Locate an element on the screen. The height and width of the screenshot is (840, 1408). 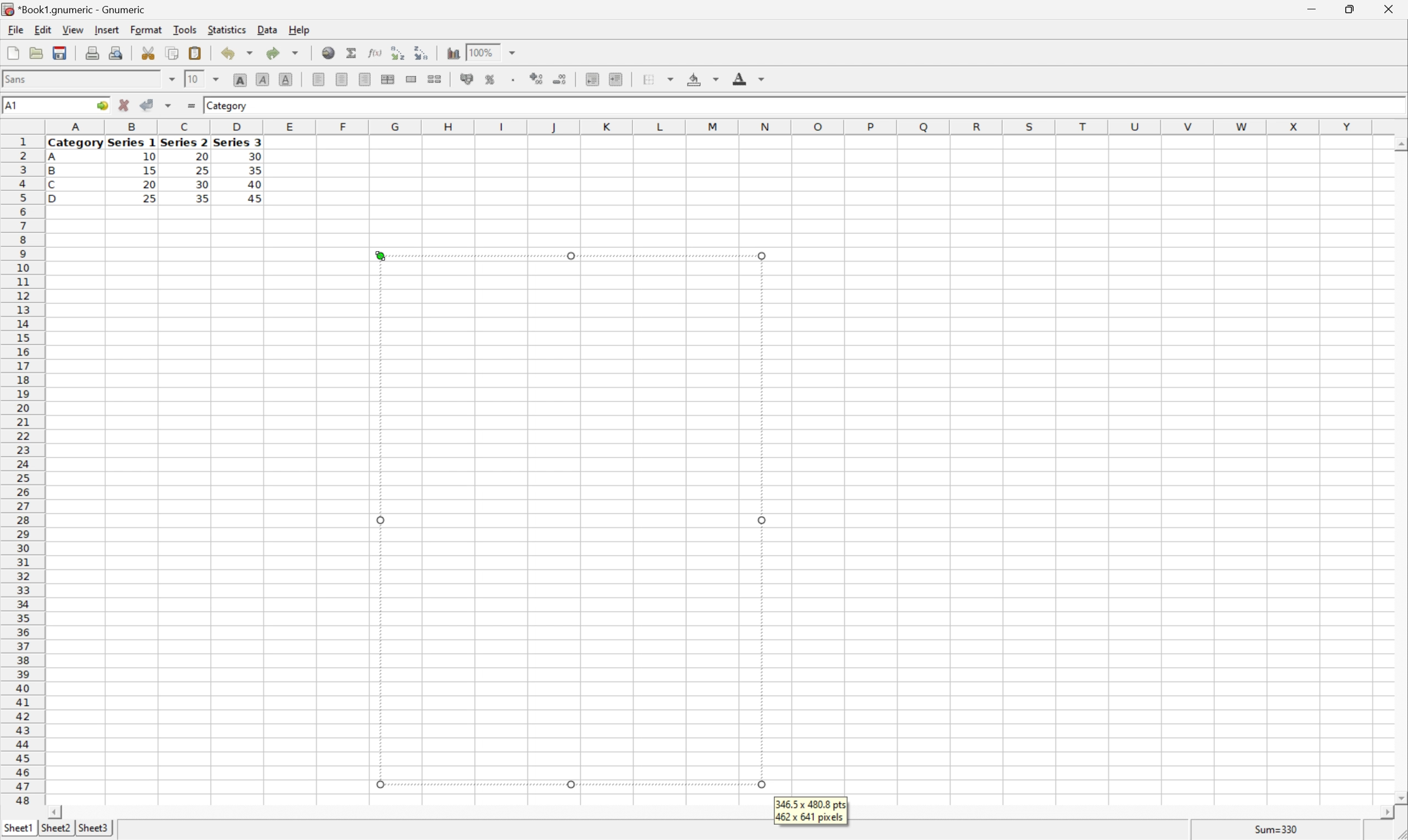
Underline is located at coordinates (286, 78).